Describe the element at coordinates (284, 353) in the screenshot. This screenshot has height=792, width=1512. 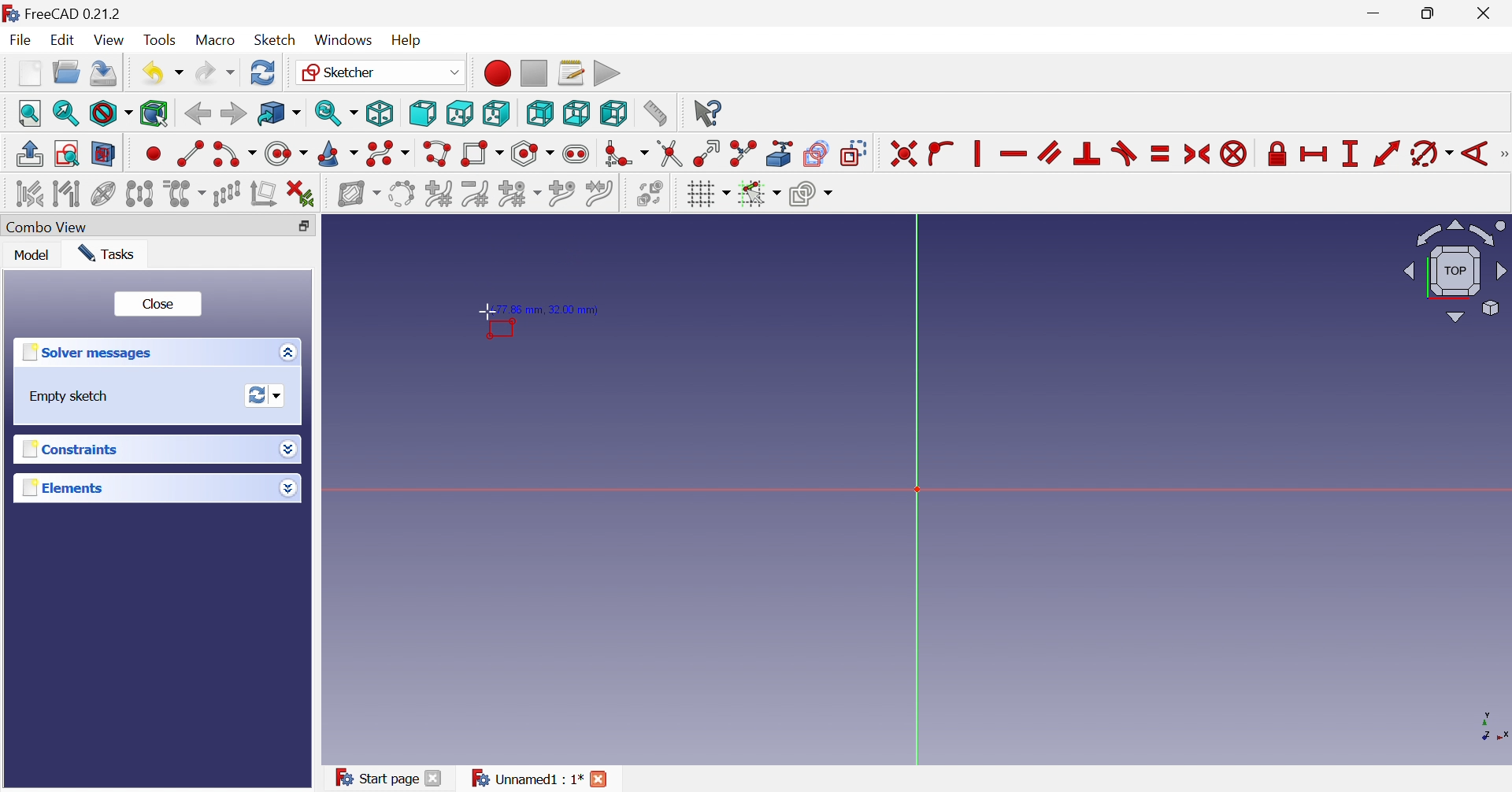
I see `Options` at that location.